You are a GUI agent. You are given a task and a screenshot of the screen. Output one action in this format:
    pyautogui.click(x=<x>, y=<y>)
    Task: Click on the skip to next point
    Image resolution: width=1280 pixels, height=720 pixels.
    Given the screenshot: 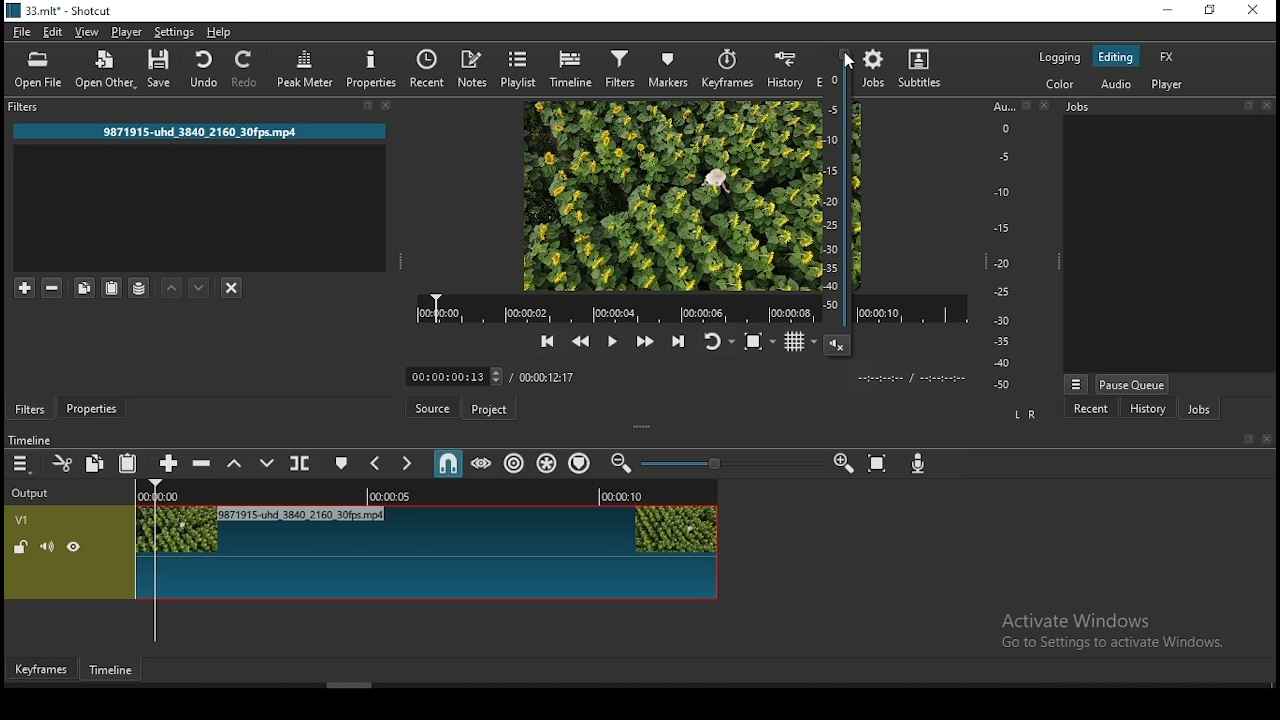 What is the action you would take?
    pyautogui.click(x=677, y=340)
    